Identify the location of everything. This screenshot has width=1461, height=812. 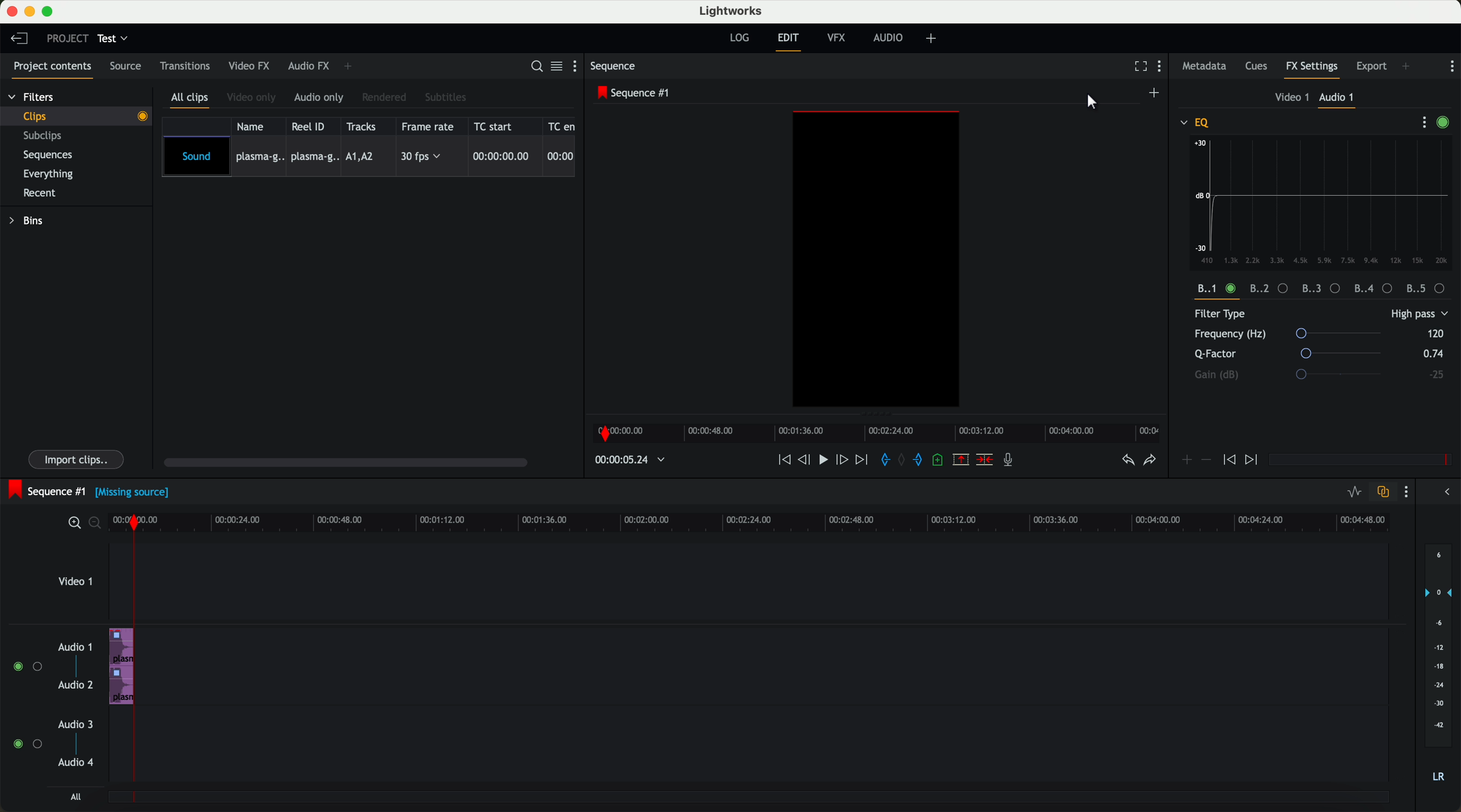
(54, 173).